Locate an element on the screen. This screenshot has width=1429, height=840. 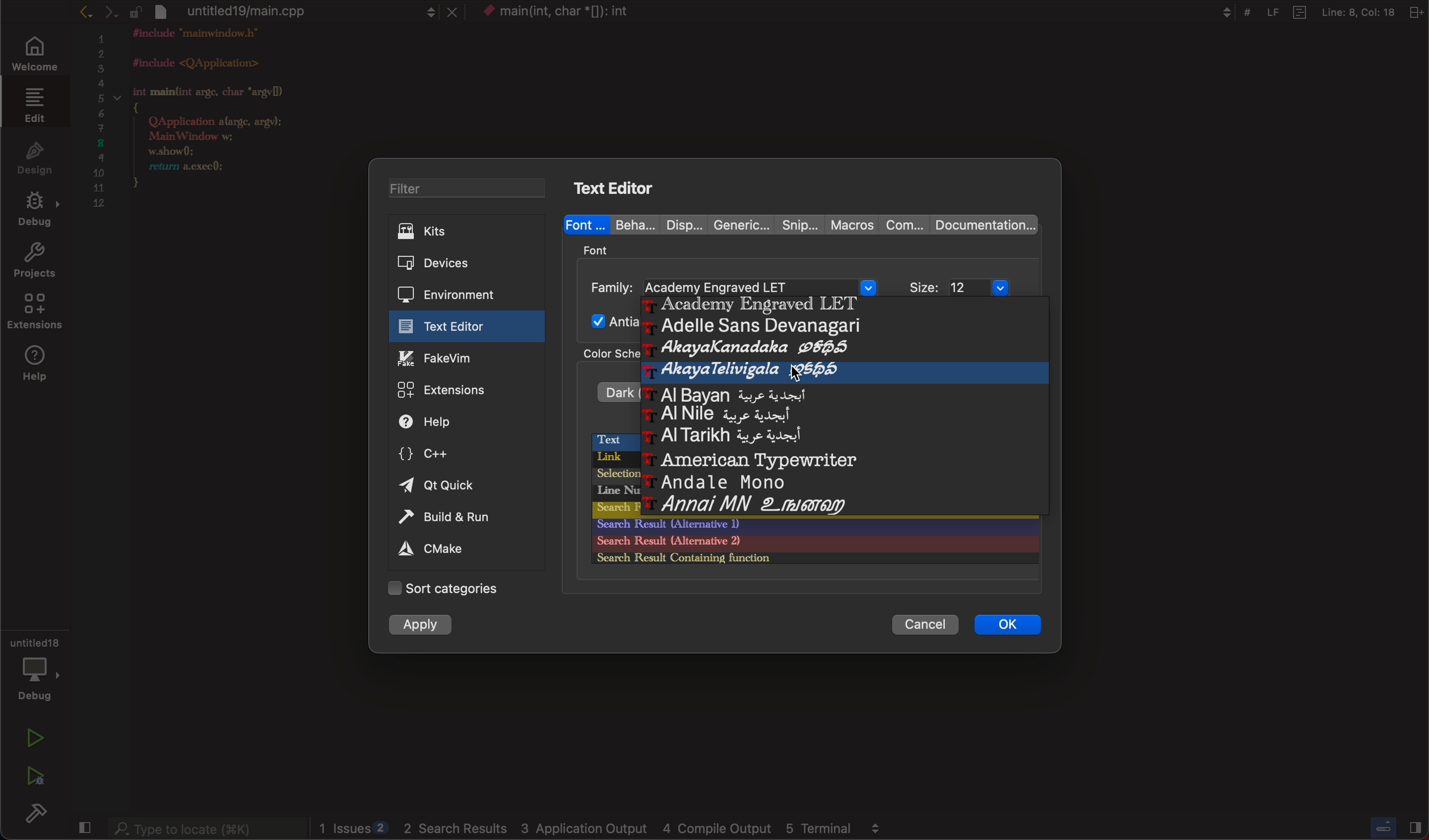
adelle sans devangari is located at coordinates (743, 327).